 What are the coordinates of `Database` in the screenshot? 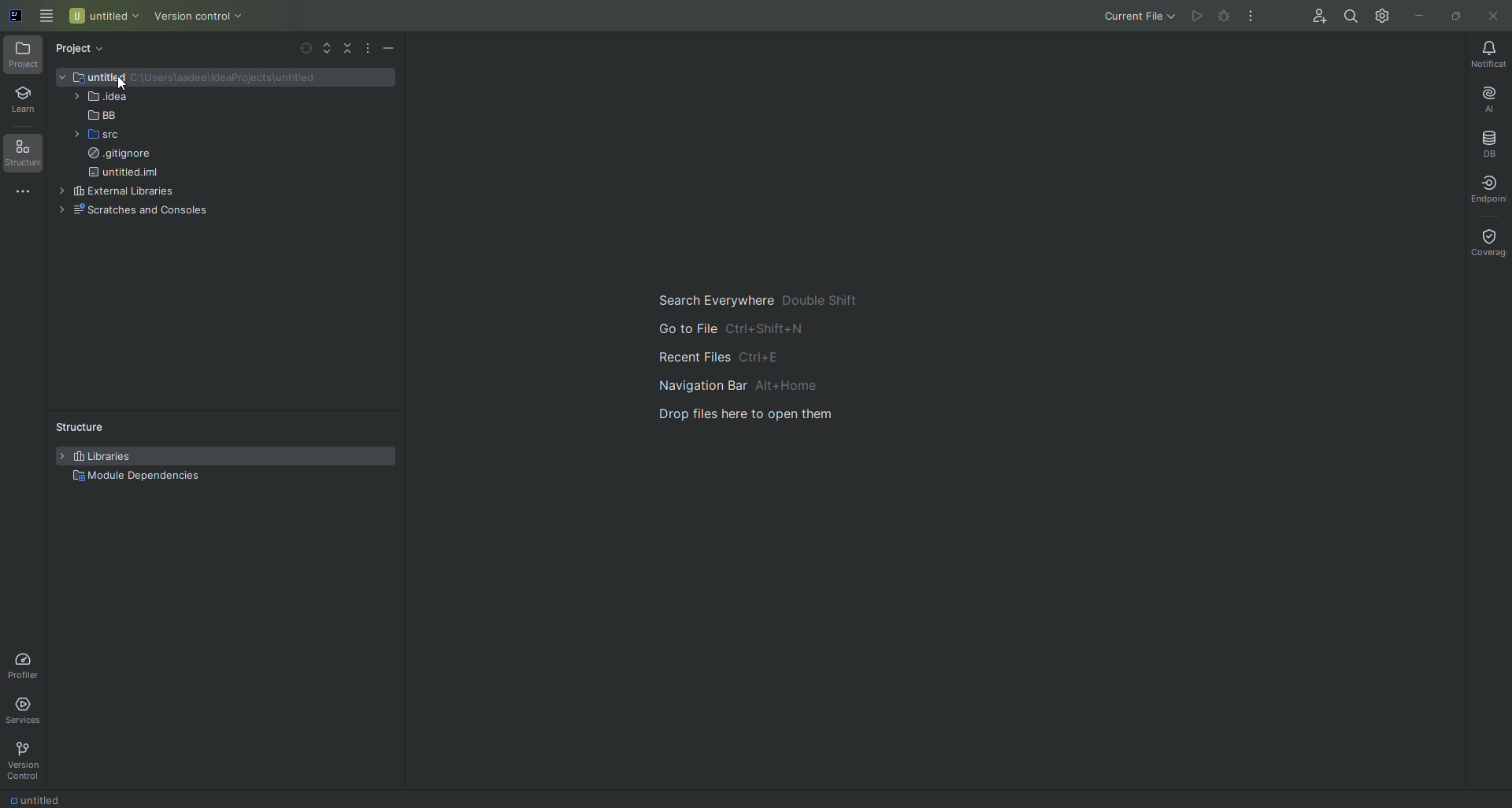 It's located at (1484, 144).